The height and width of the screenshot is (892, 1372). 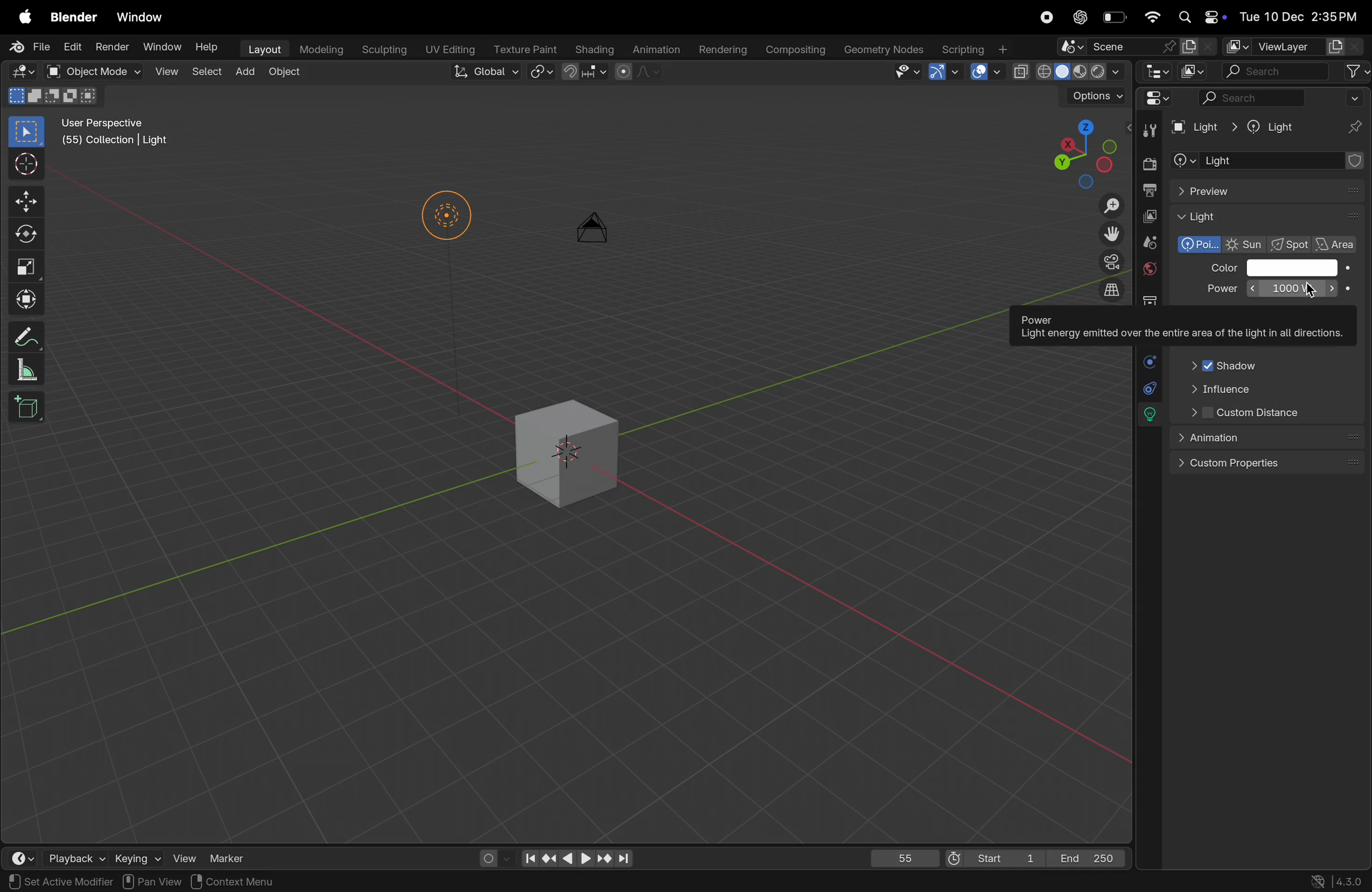 I want to click on animation, so click(x=1266, y=437).